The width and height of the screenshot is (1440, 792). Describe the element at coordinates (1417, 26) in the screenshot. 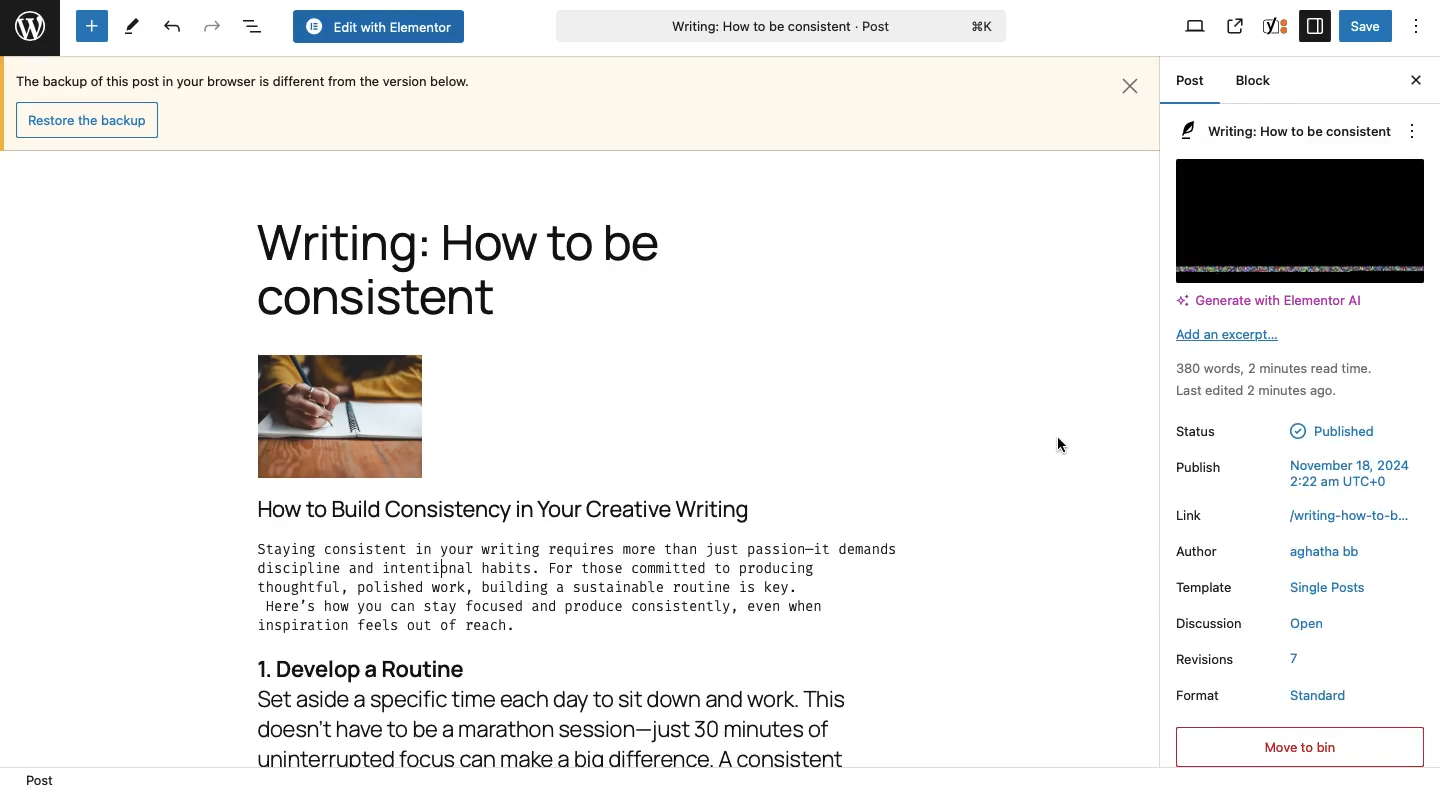

I see `Options` at that location.